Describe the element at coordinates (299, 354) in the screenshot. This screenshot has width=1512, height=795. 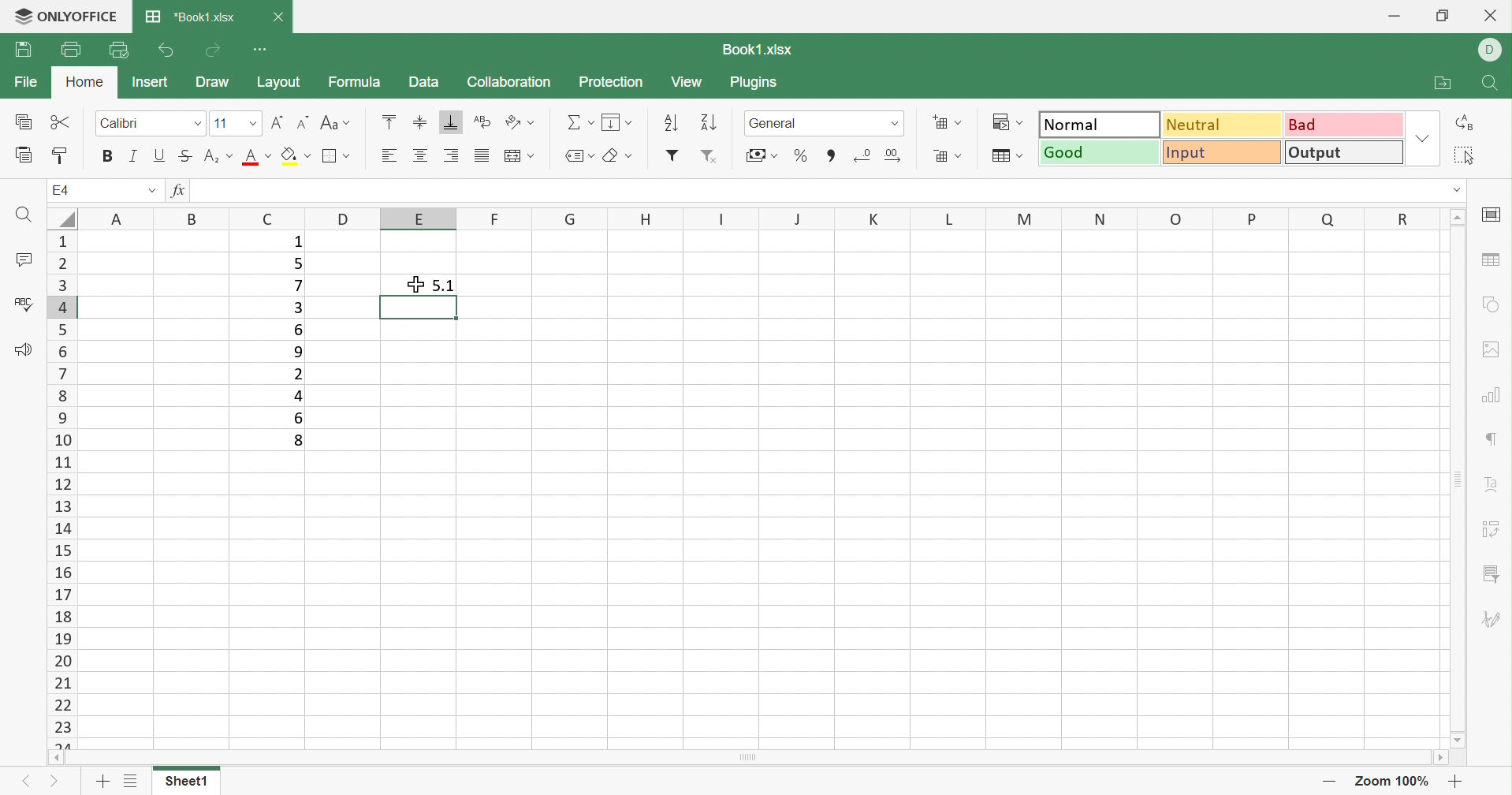
I see `9` at that location.